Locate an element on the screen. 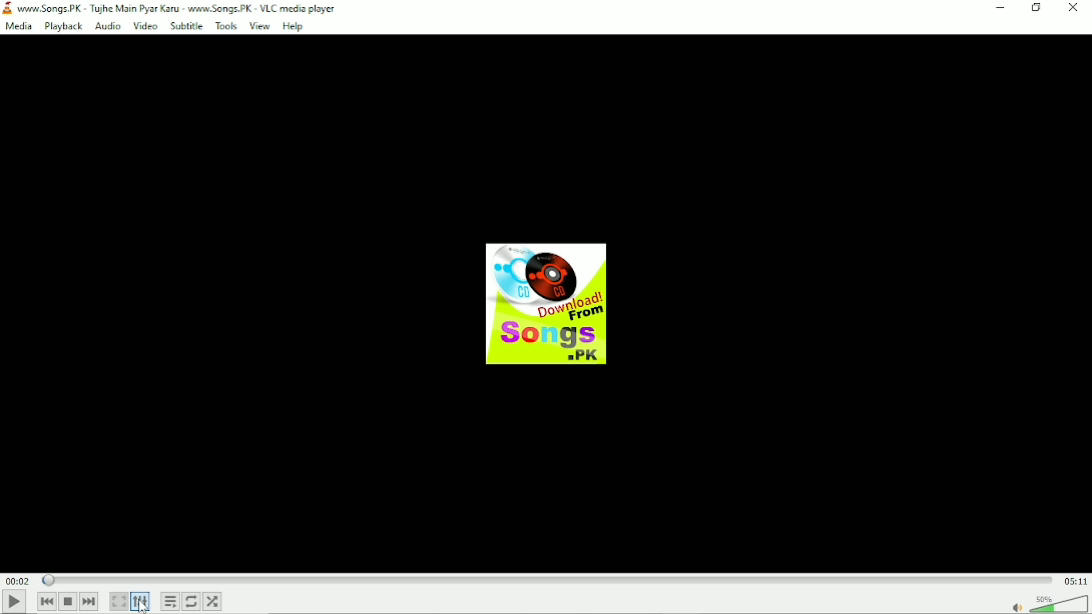  www.Songs.PK - Tujhe Main Pyar Karu - www.Songs.PK - VLC media player is located at coordinates (174, 8).